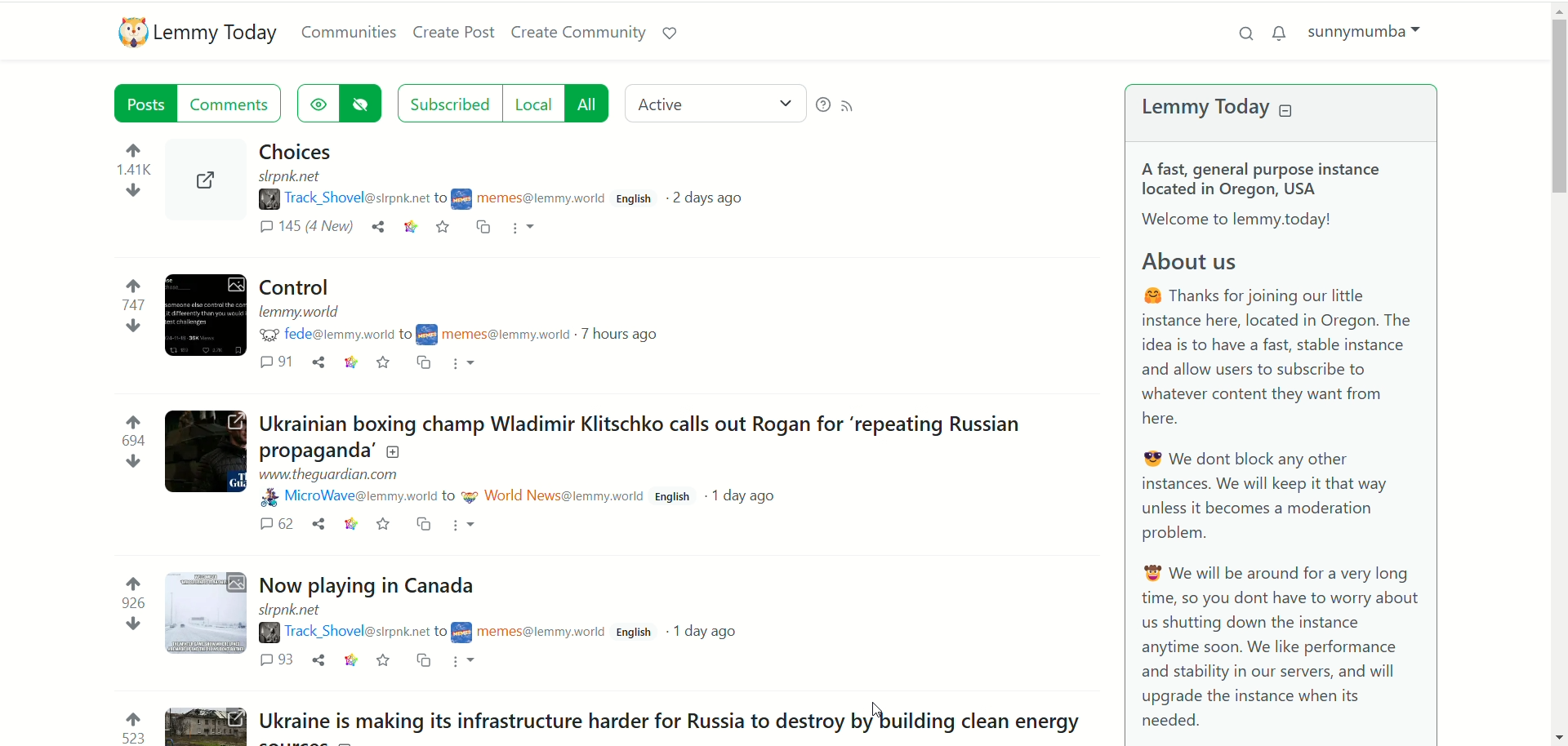  What do you see at coordinates (551, 498) in the screenshot?
I see `community` at bounding box center [551, 498].